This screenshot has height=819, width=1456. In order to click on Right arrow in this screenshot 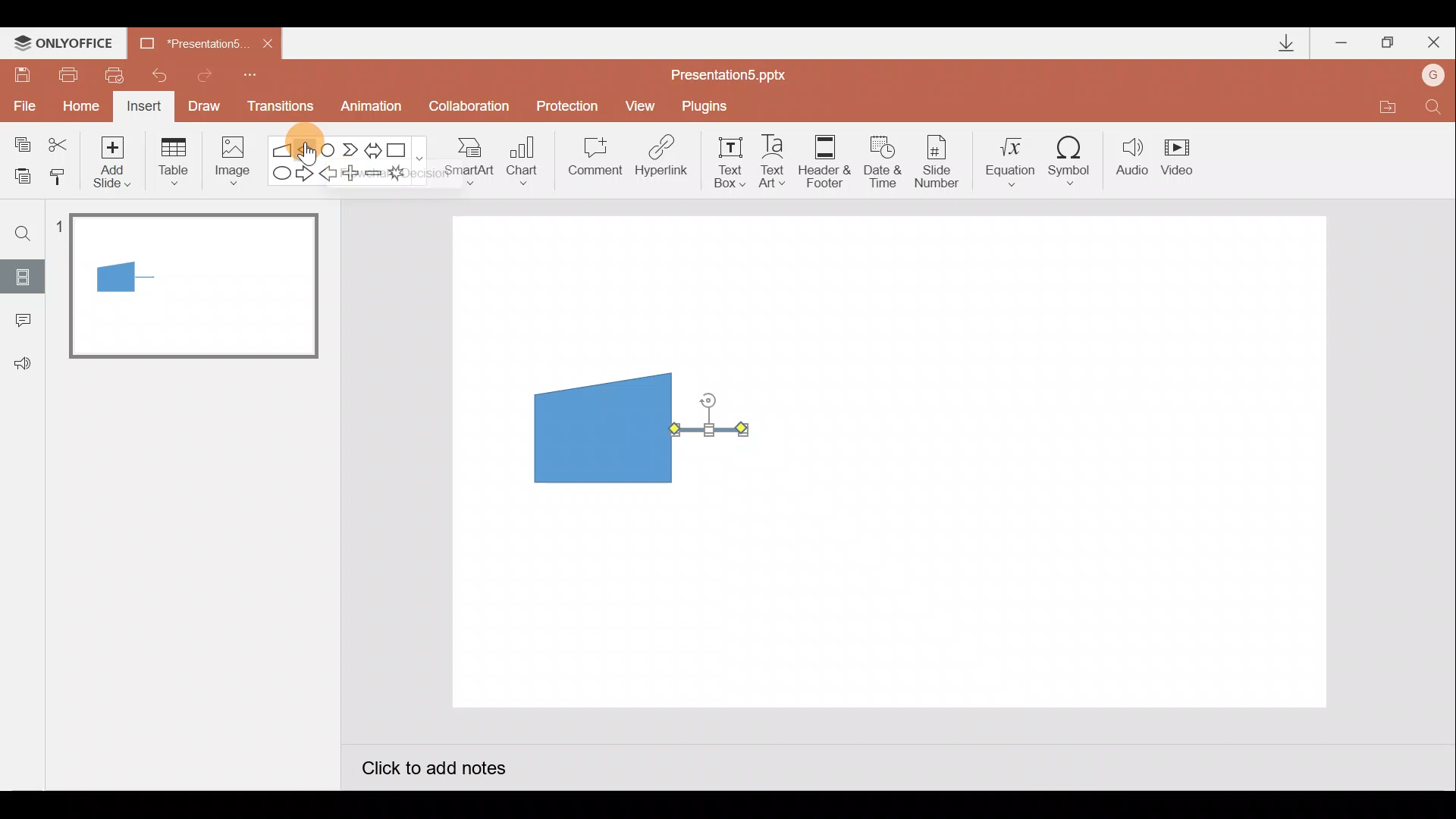, I will do `click(306, 172)`.